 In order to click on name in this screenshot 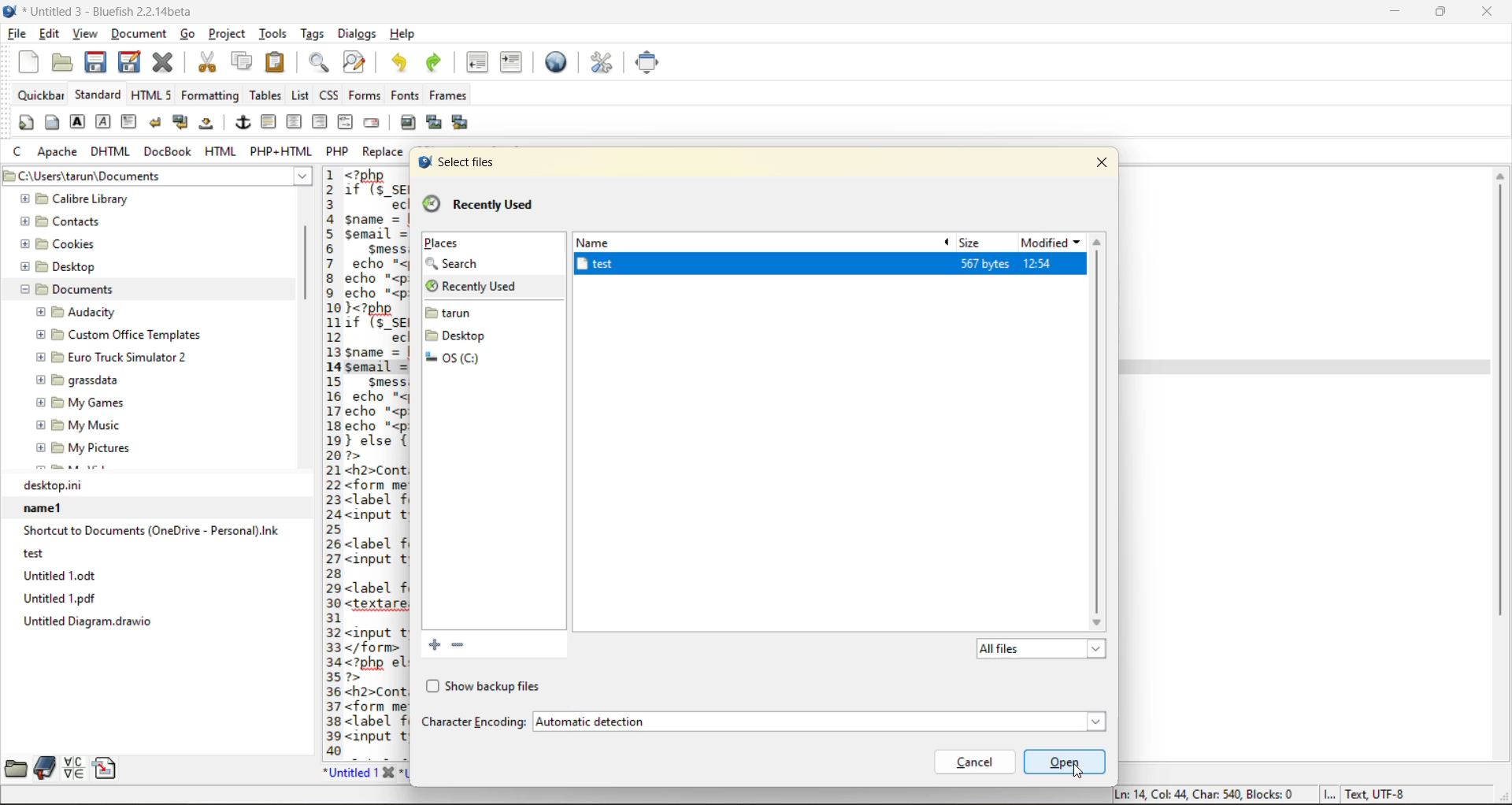, I will do `click(602, 242)`.